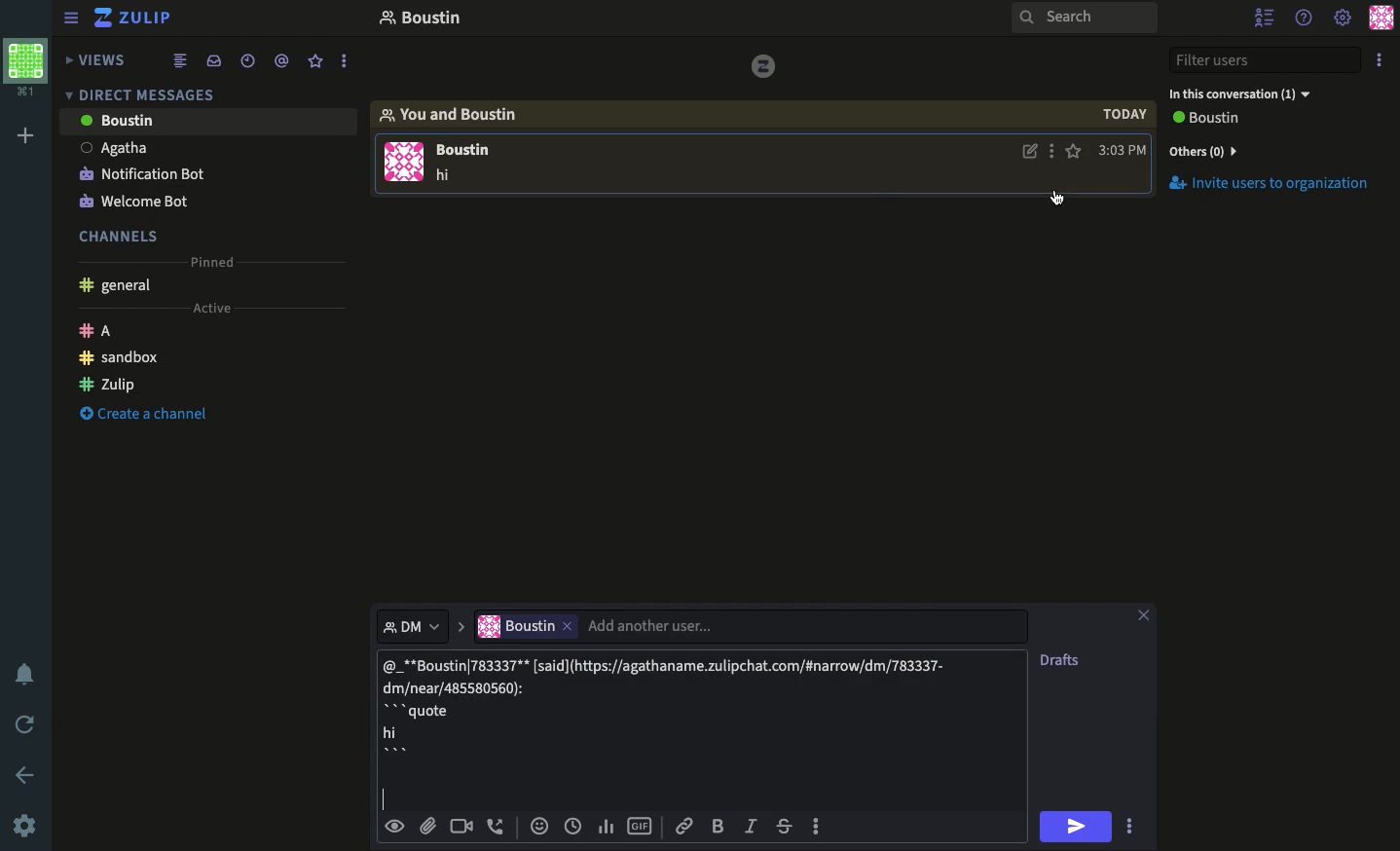 Image resolution: width=1400 pixels, height=851 pixels. I want to click on Italics, so click(752, 828).